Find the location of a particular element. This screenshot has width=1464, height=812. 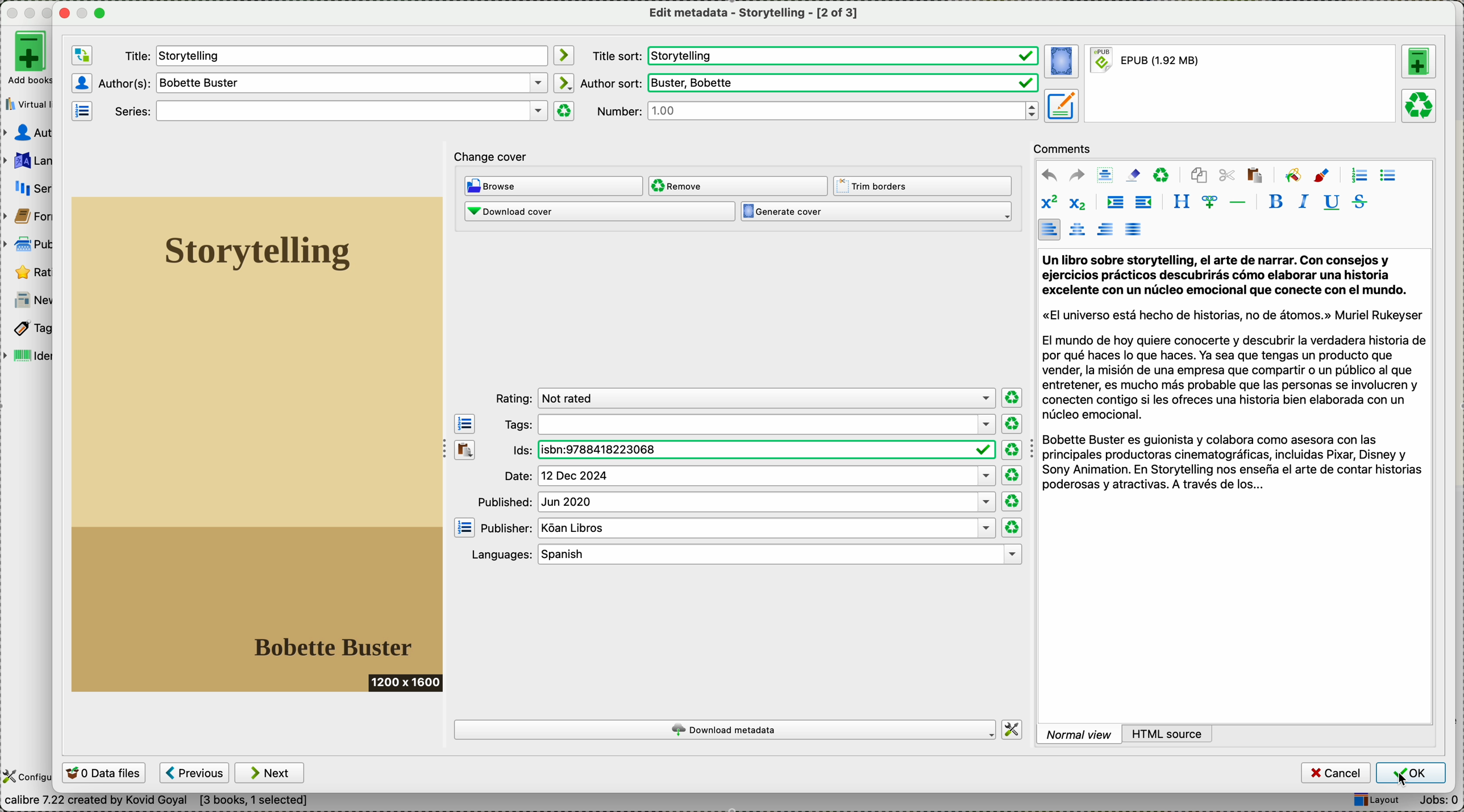

underline is located at coordinates (1331, 203).